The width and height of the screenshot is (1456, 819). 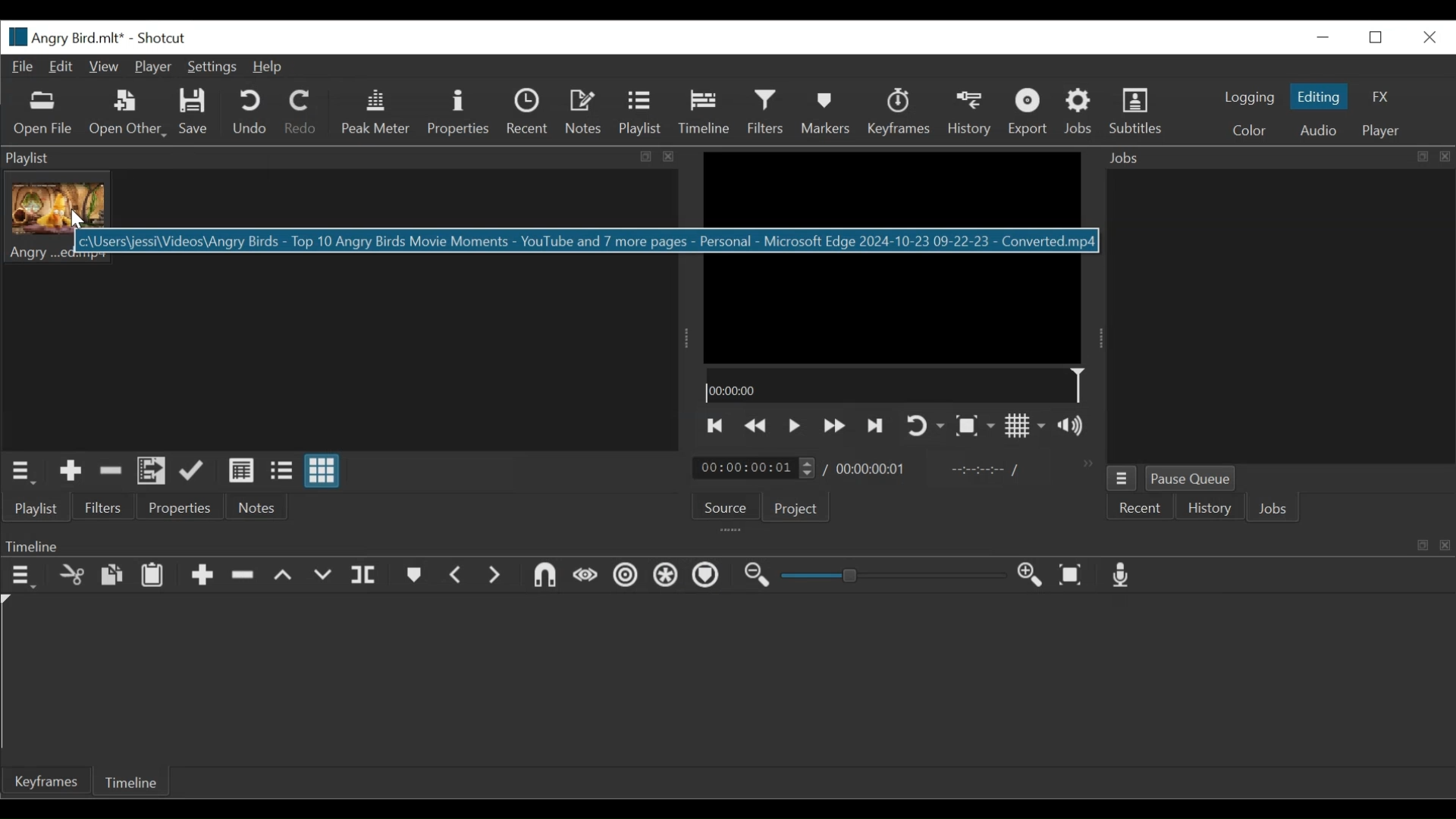 I want to click on Playlist, so click(x=639, y=114).